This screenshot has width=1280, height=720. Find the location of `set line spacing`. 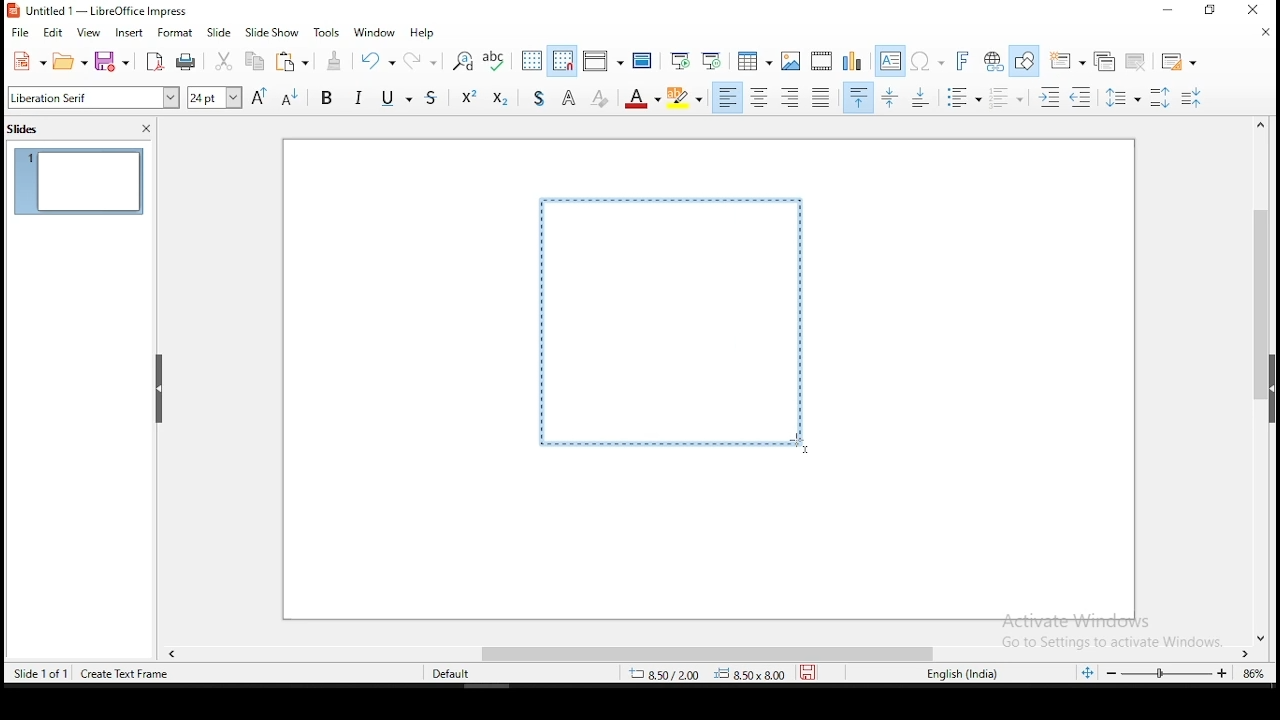

set line spacing is located at coordinates (1127, 100).